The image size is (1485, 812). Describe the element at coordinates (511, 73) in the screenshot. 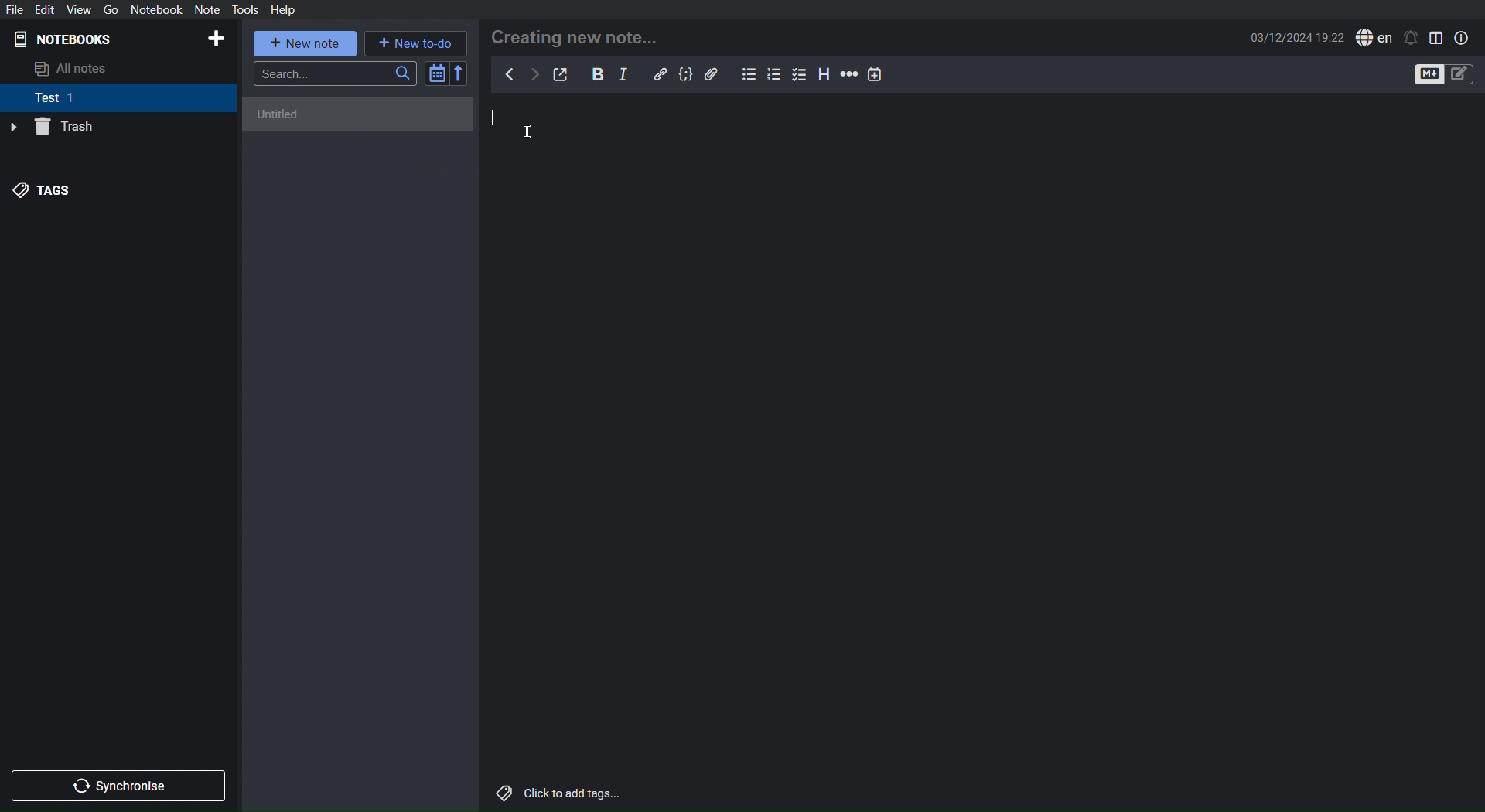

I see `Back` at that location.